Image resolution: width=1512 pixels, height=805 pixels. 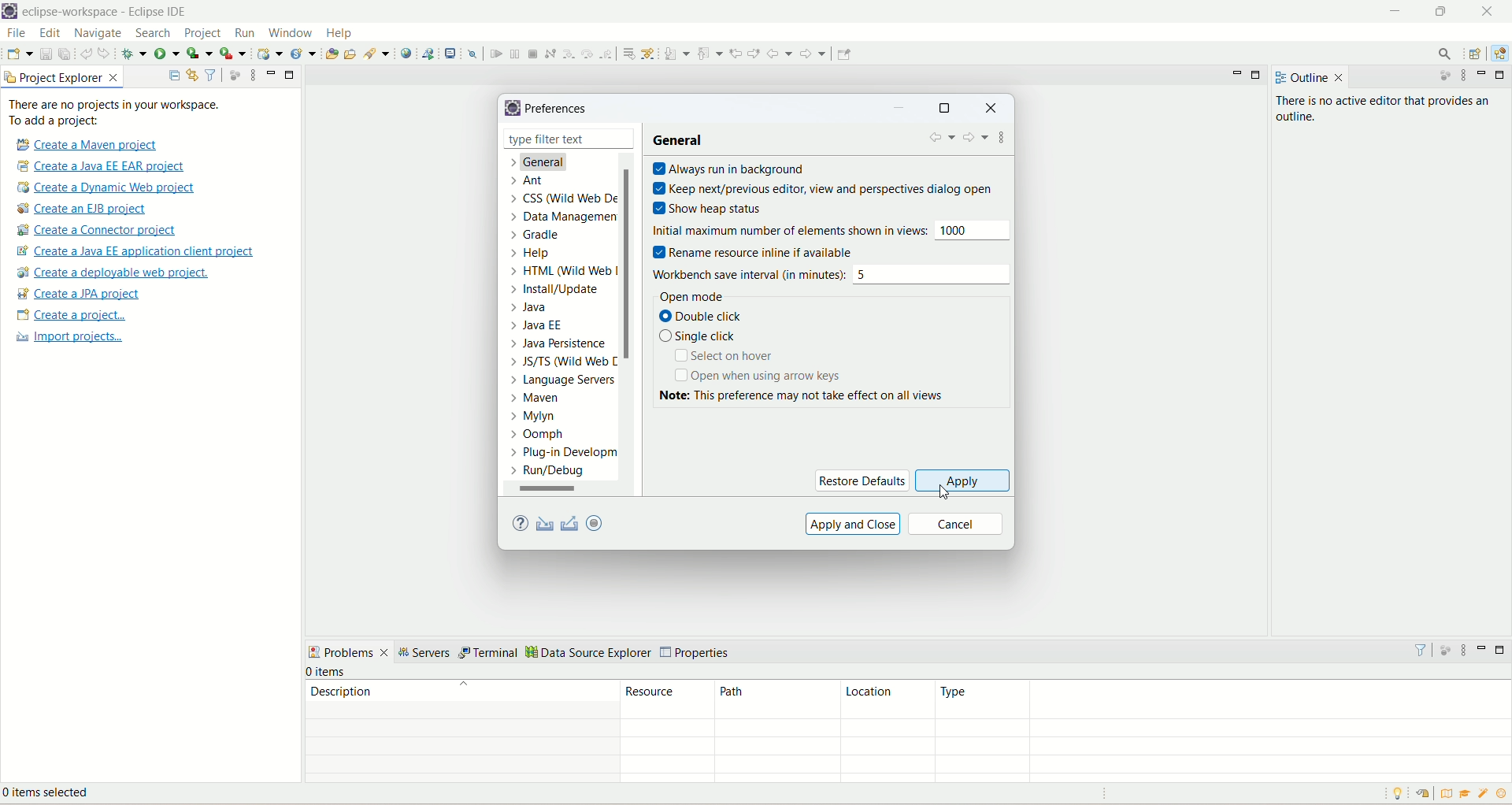 I want to click on maximize, so click(x=1259, y=76).